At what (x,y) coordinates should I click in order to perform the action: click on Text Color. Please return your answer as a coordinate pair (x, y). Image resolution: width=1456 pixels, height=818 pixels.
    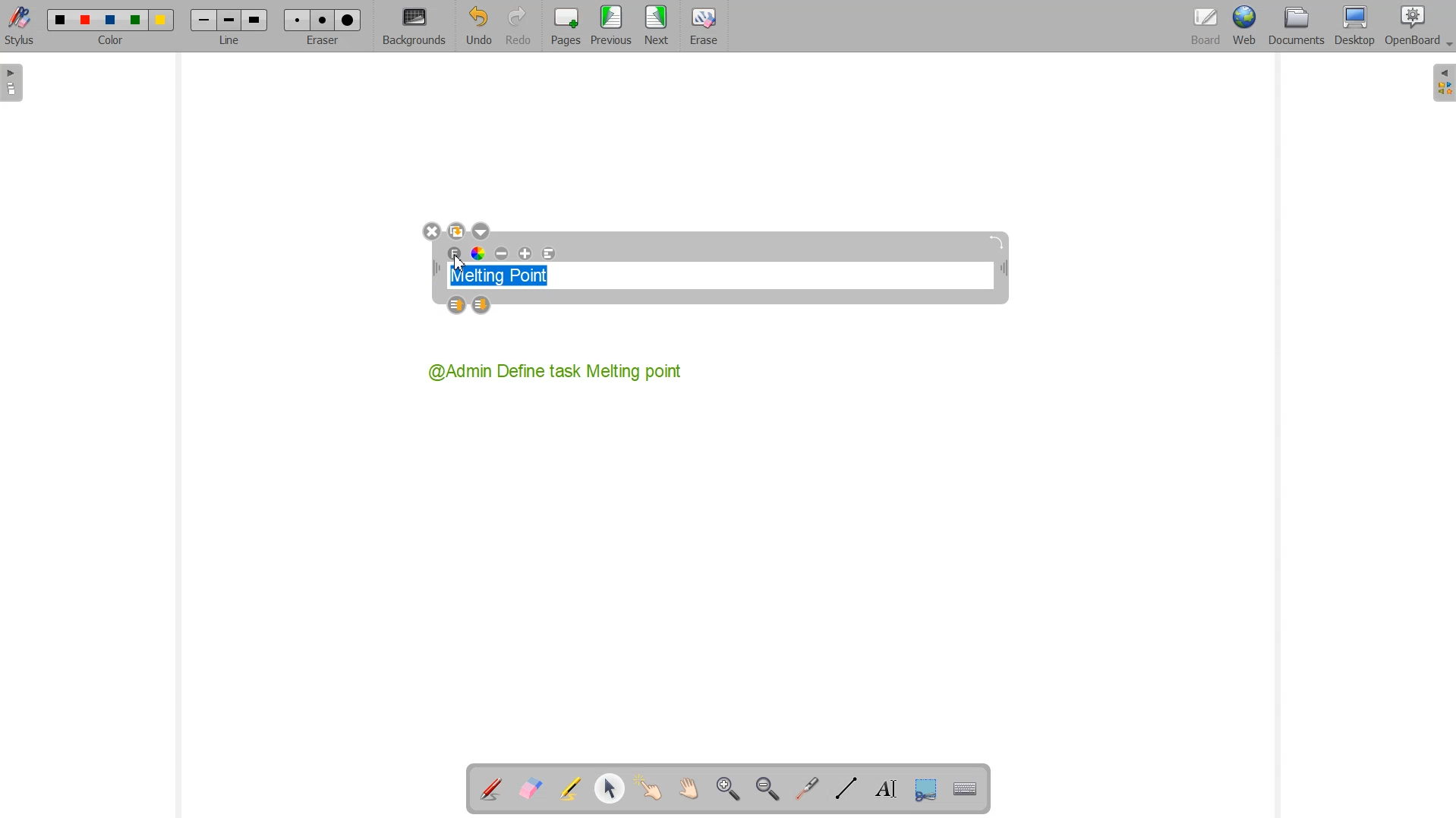
    Looking at the image, I should click on (479, 254).